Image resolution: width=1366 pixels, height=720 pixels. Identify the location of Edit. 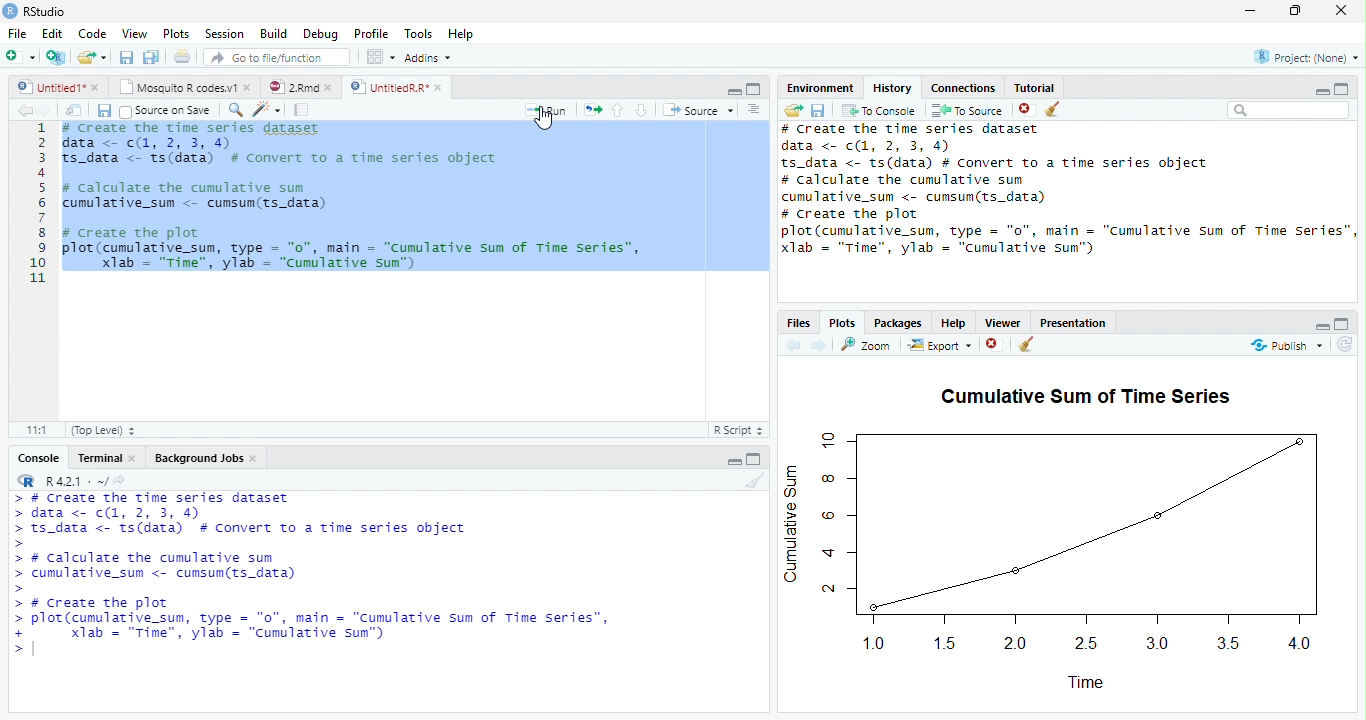
(55, 36).